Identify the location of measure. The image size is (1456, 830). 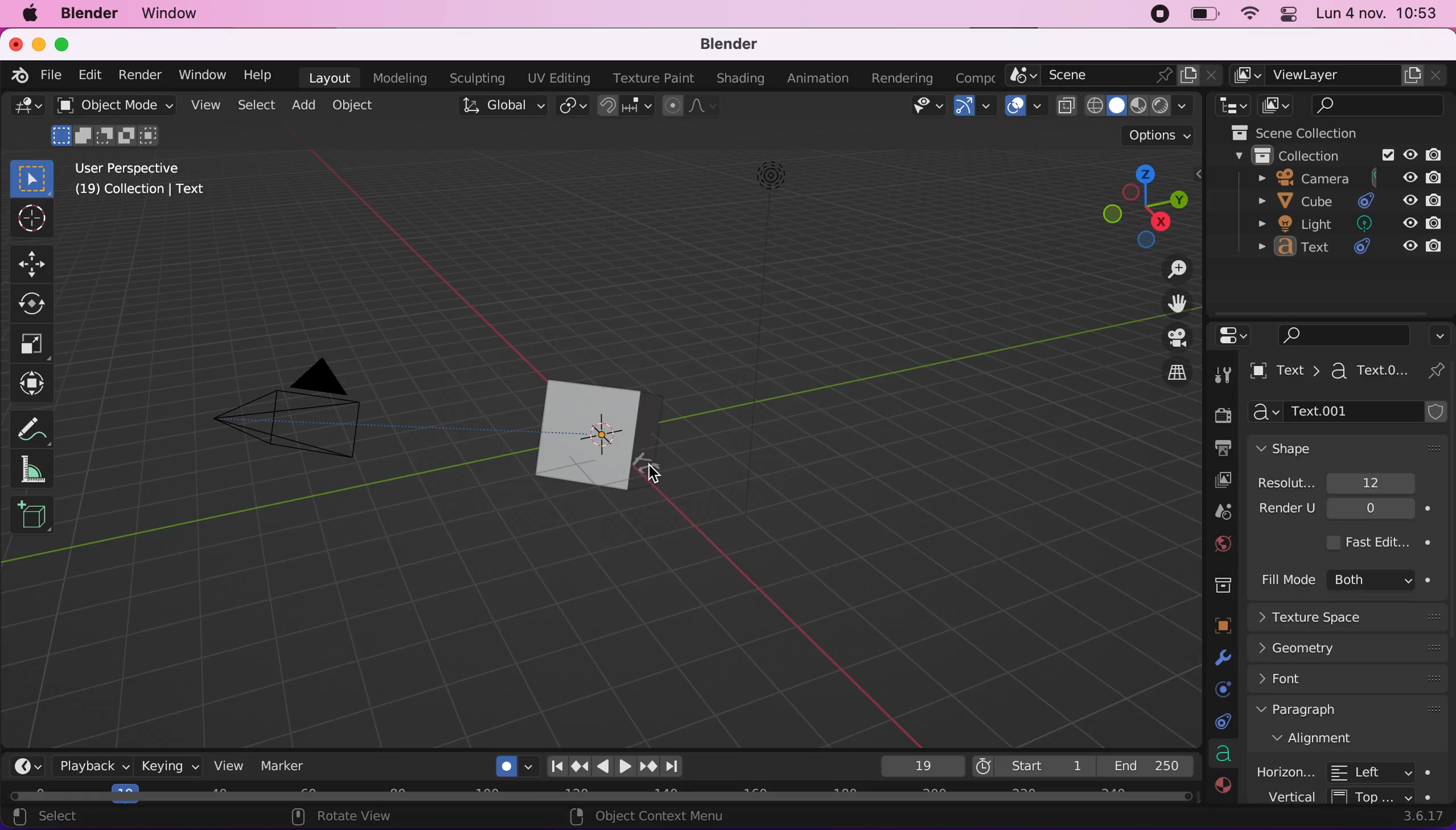
(39, 468).